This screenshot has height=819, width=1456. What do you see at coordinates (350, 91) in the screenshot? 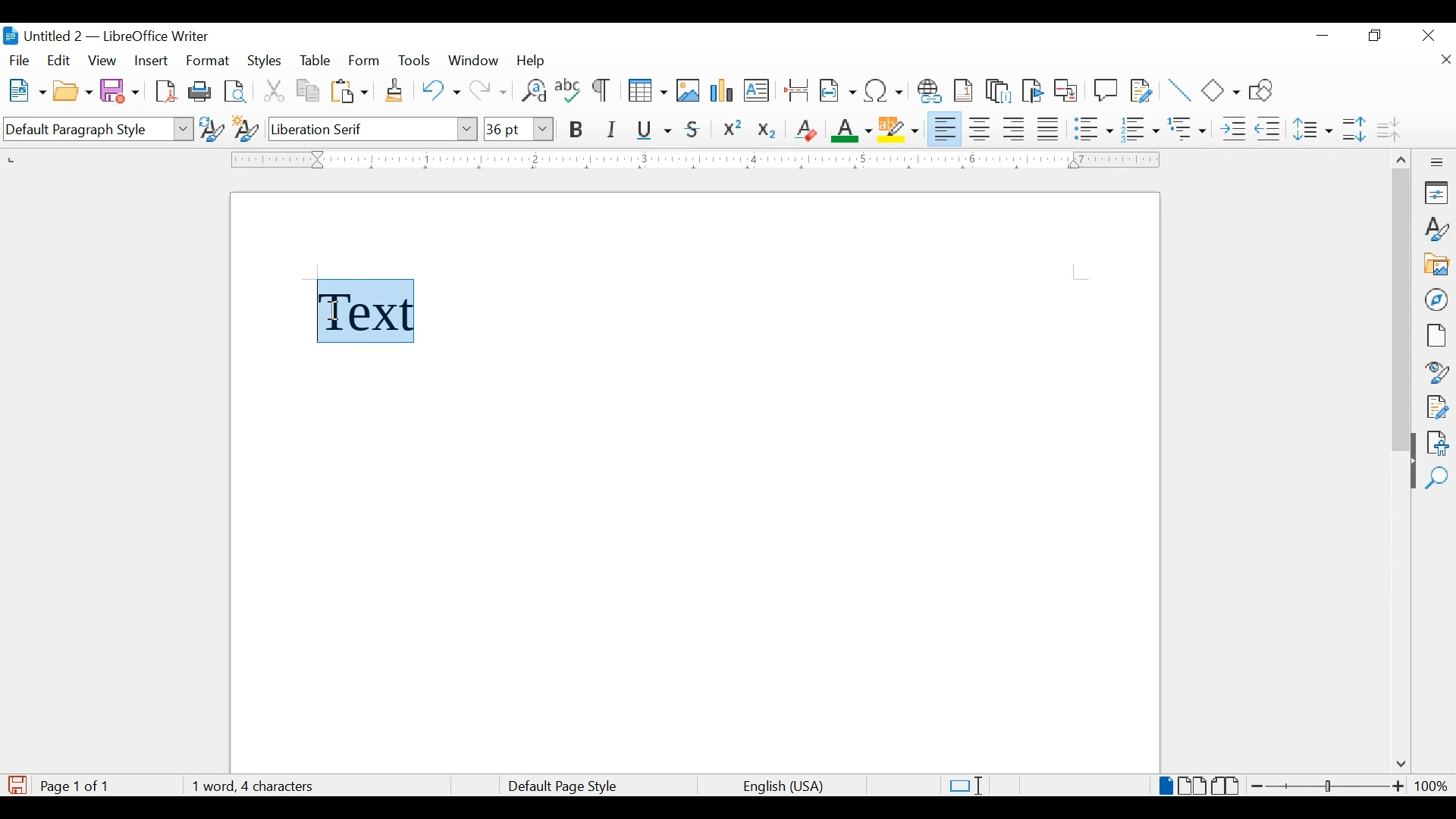
I see `paste ` at bounding box center [350, 91].